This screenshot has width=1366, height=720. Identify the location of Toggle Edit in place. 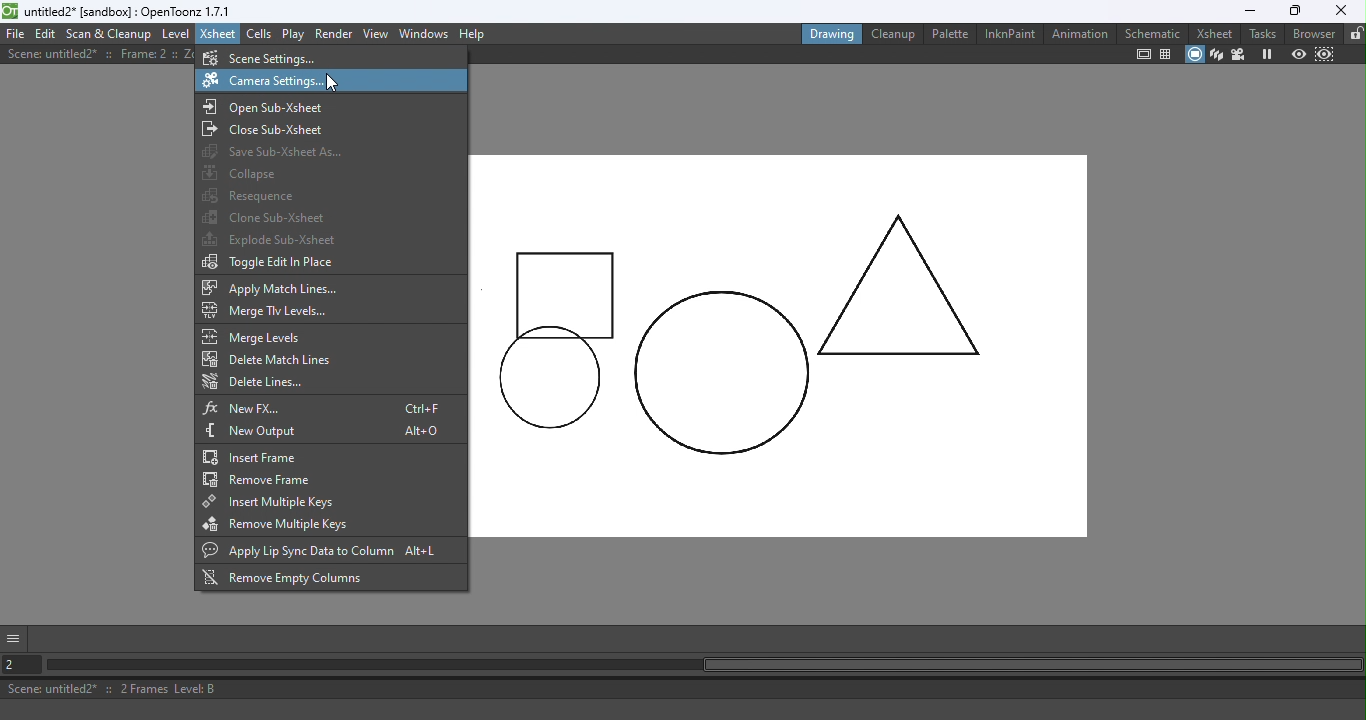
(269, 263).